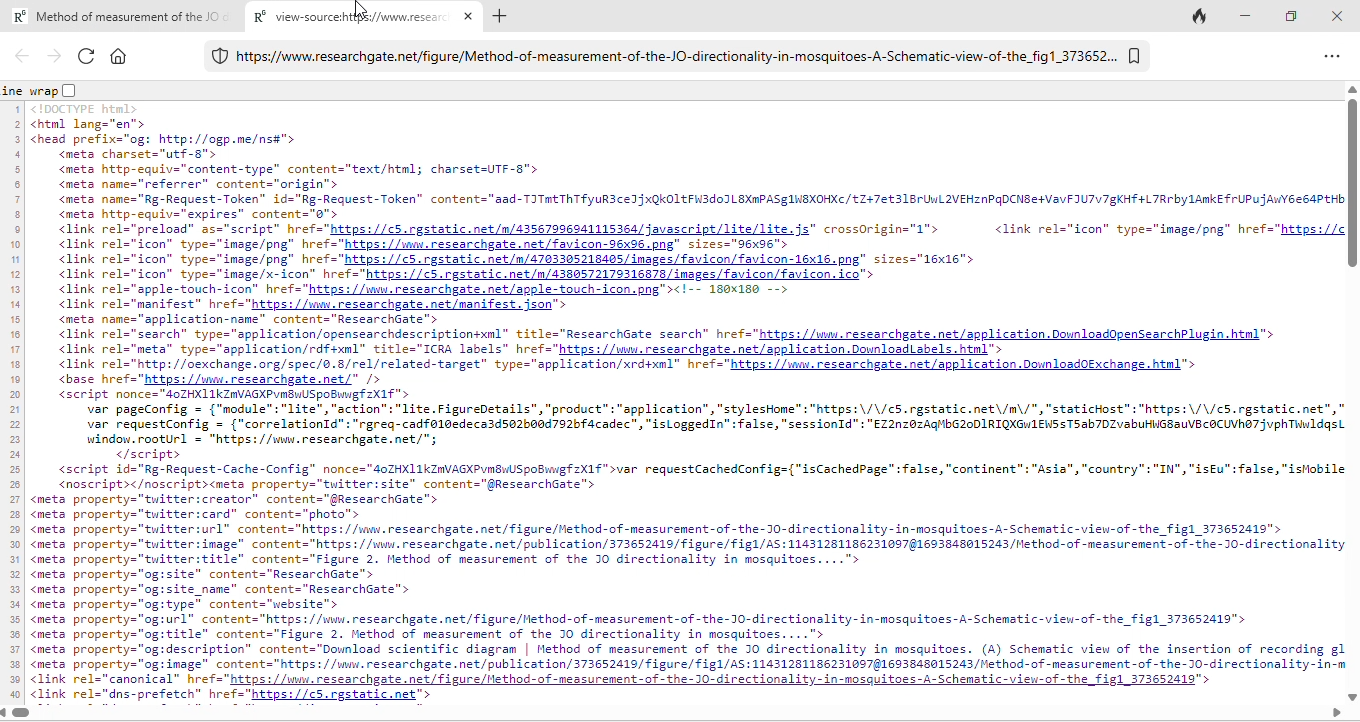 The width and height of the screenshot is (1360, 722). Describe the element at coordinates (122, 57) in the screenshot. I see `home` at that location.